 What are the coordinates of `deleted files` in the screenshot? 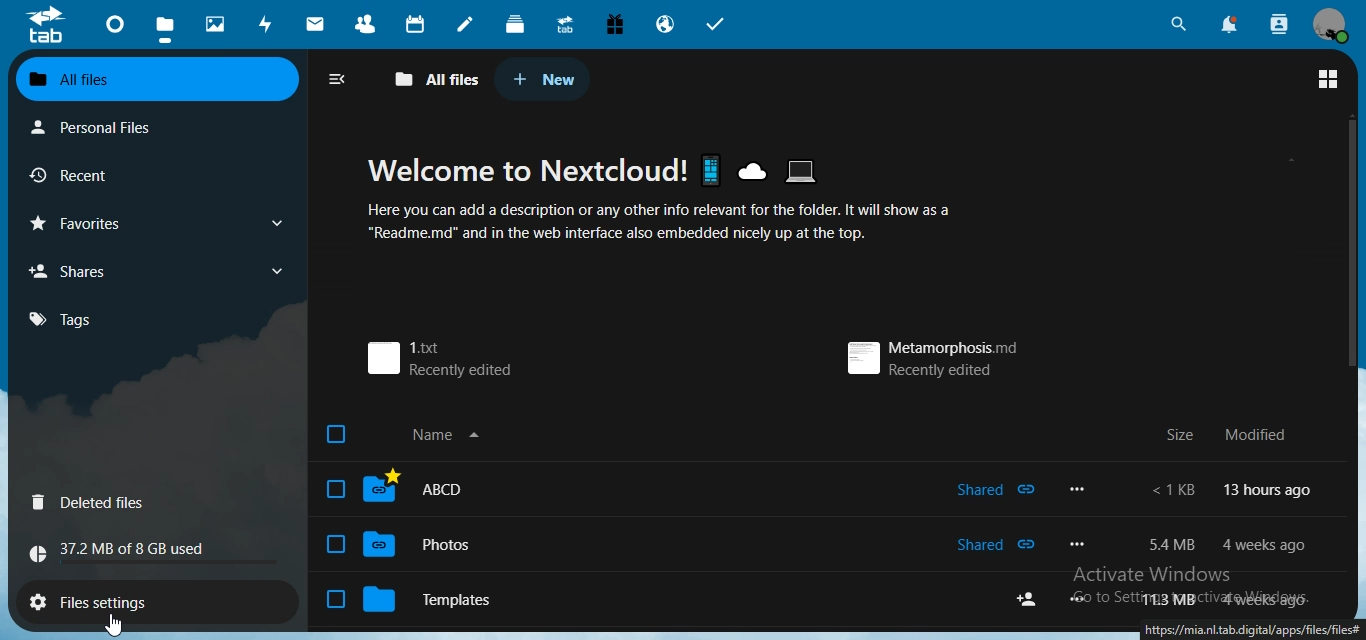 It's located at (100, 503).